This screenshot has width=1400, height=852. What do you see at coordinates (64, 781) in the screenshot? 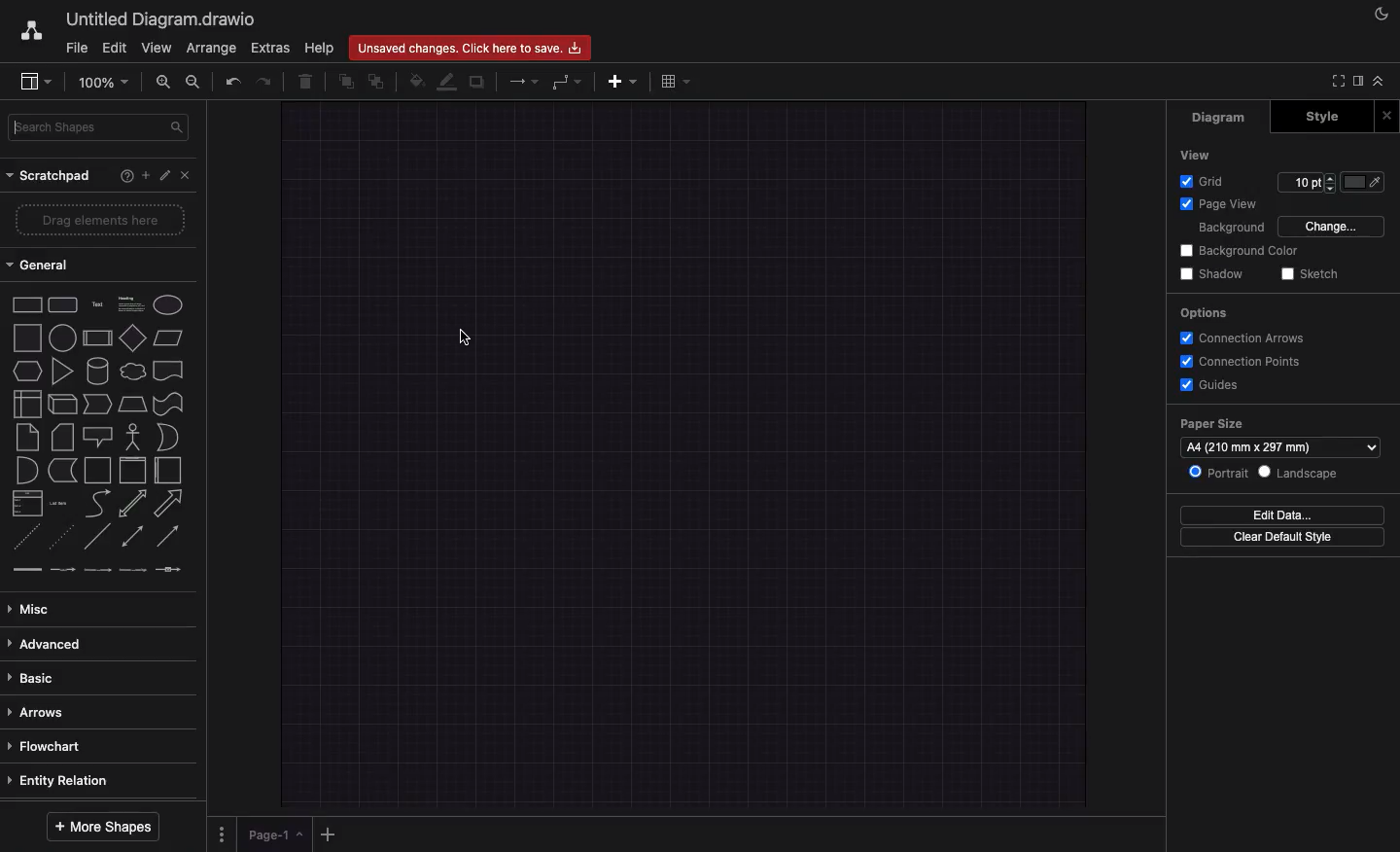
I see `Entity relation` at bounding box center [64, 781].